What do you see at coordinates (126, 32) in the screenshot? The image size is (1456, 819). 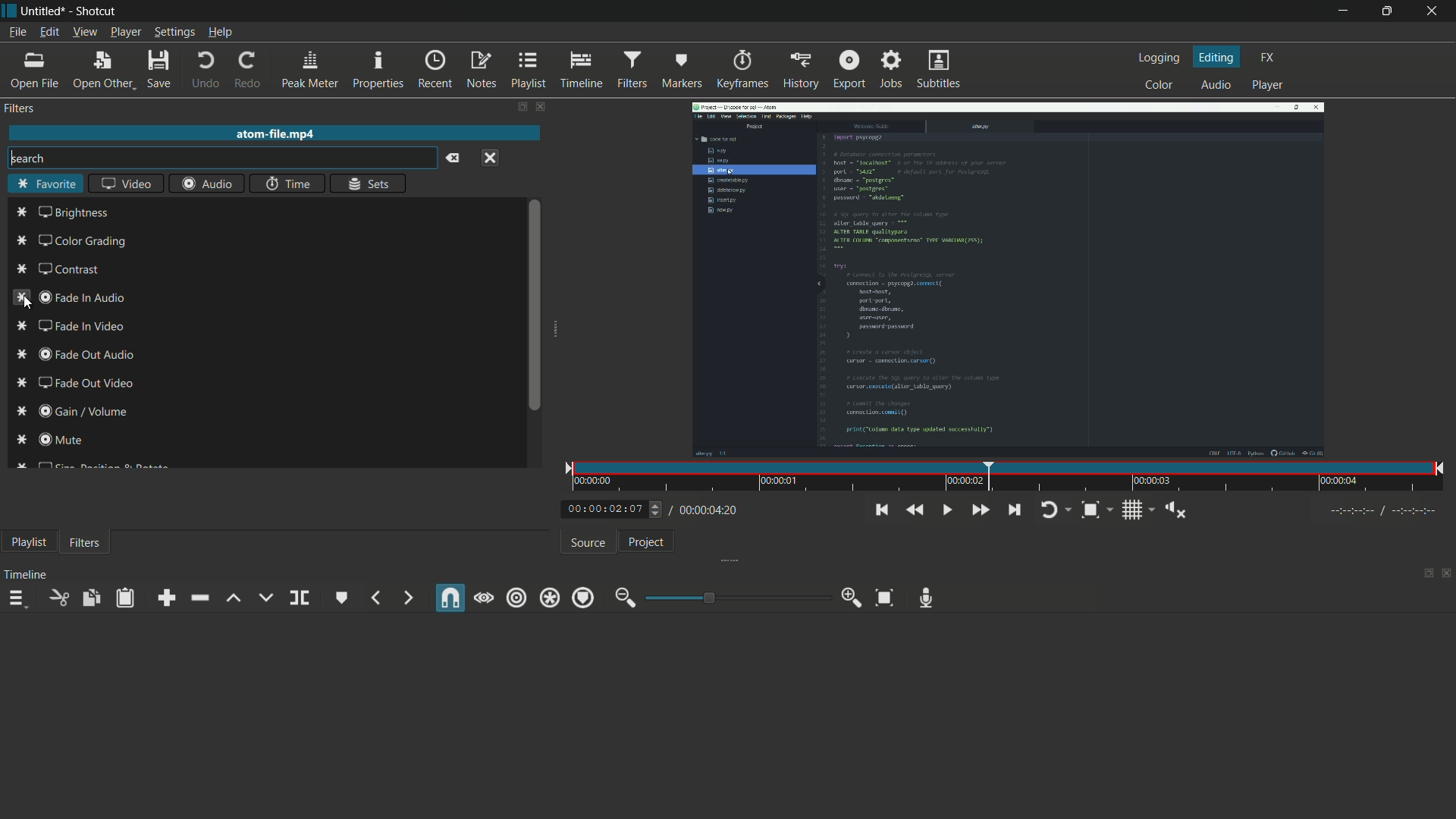 I see `player menu` at bounding box center [126, 32].